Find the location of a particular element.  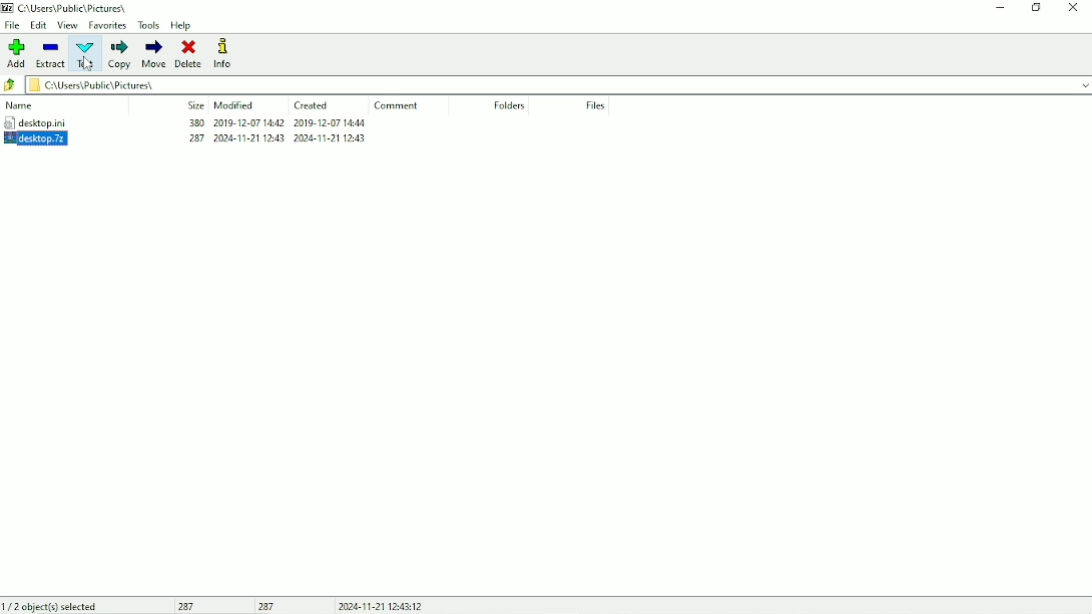

Minimize is located at coordinates (1003, 8).